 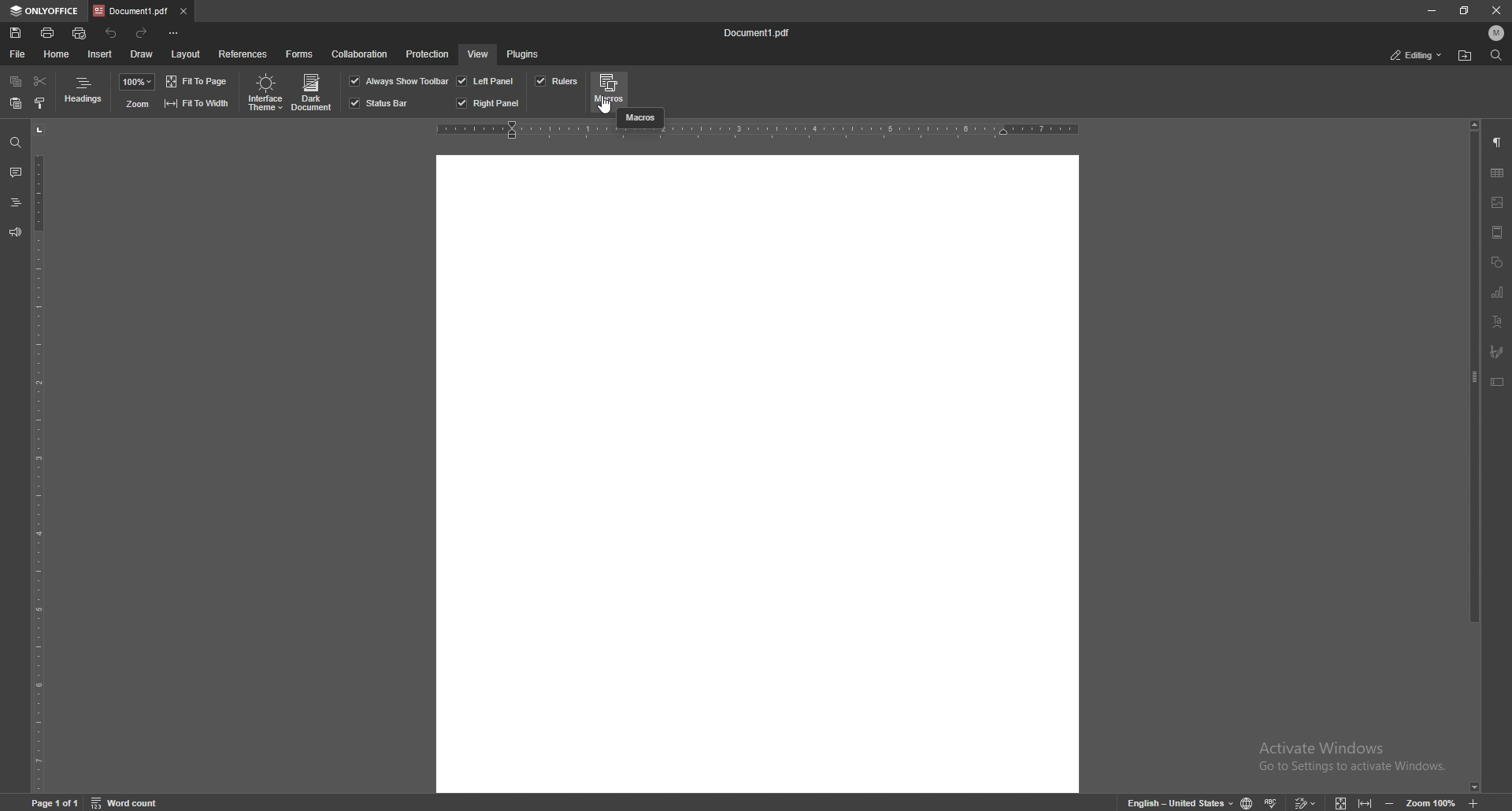 What do you see at coordinates (1466, 55) in the screenshot?
I see `locate file` at bounding box center [1466, 55].